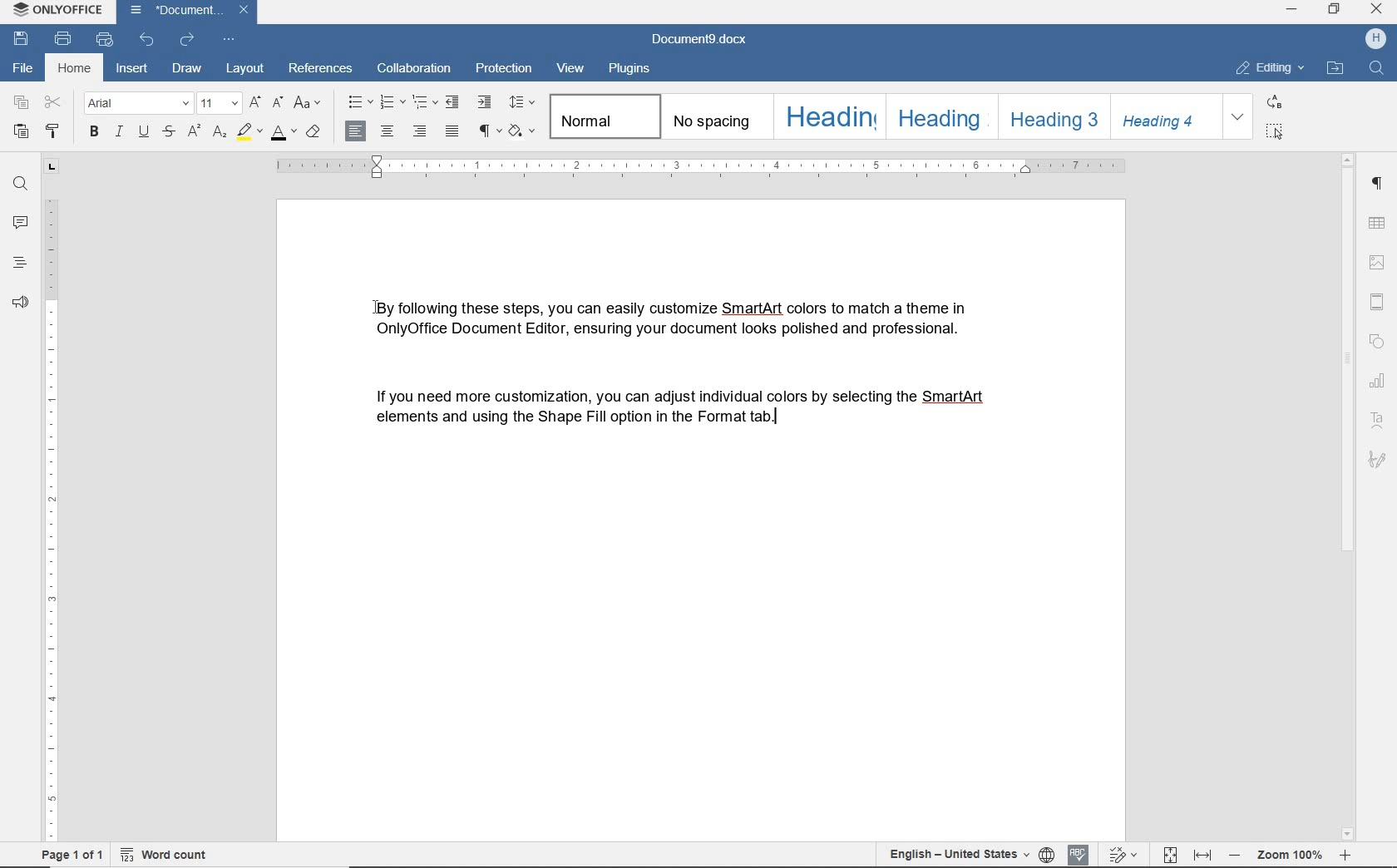 The width and height of the screenshot is (1397, 868). I want to click on clear style, so click(313, 133).